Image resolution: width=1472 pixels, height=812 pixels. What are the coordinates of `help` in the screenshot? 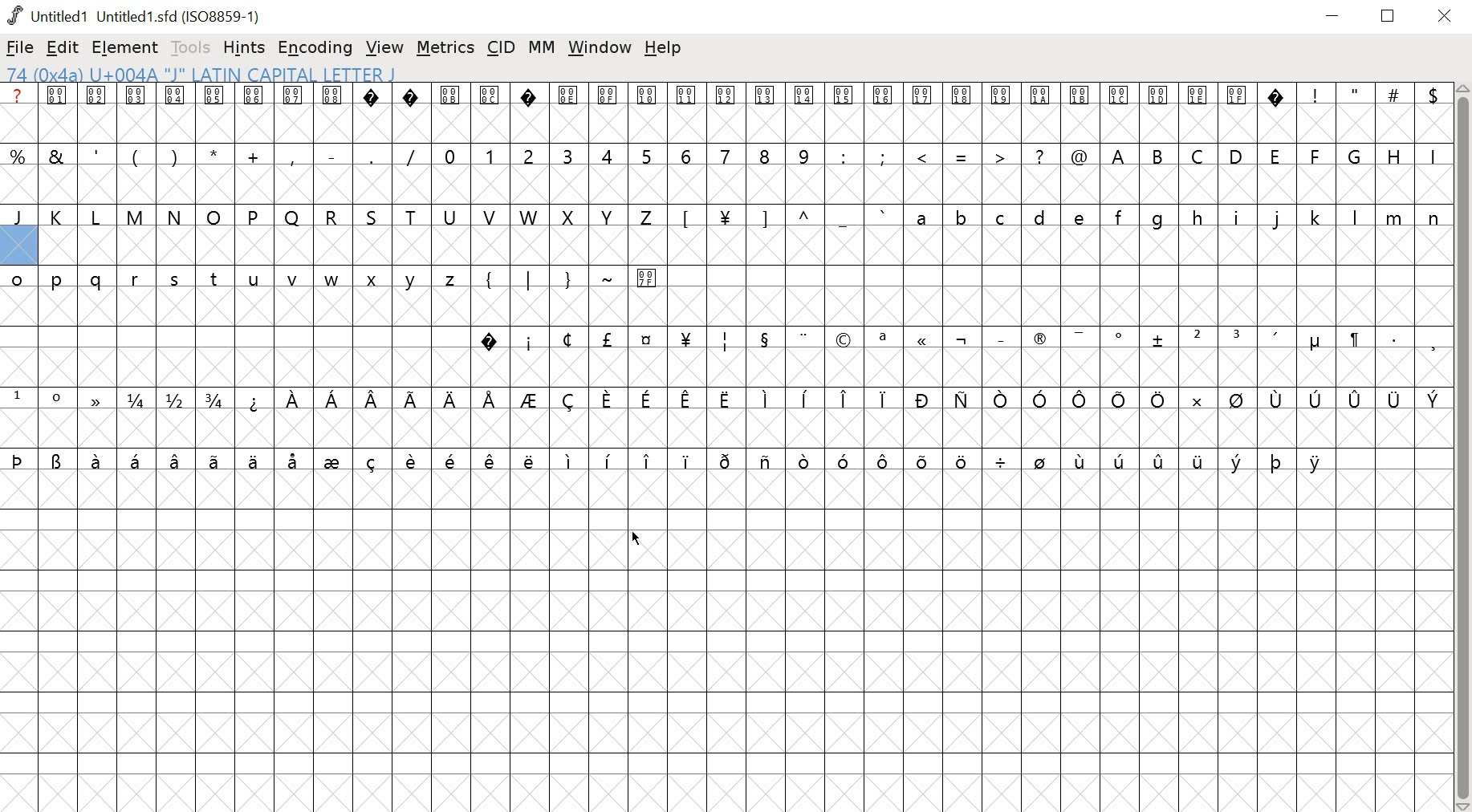 It's located at (663, 48).